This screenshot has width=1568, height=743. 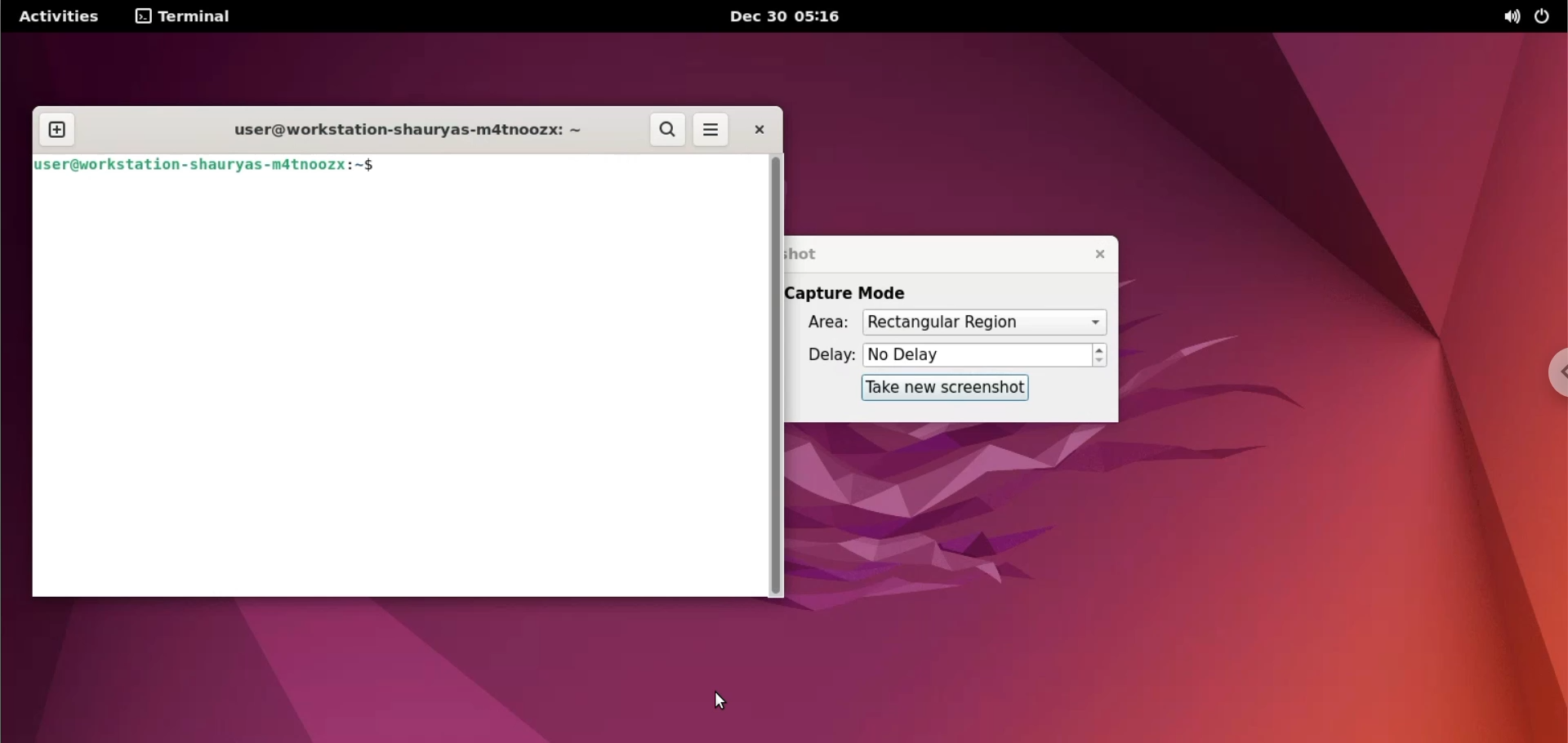 I want to click on command input box, so click(x=398, y=387).